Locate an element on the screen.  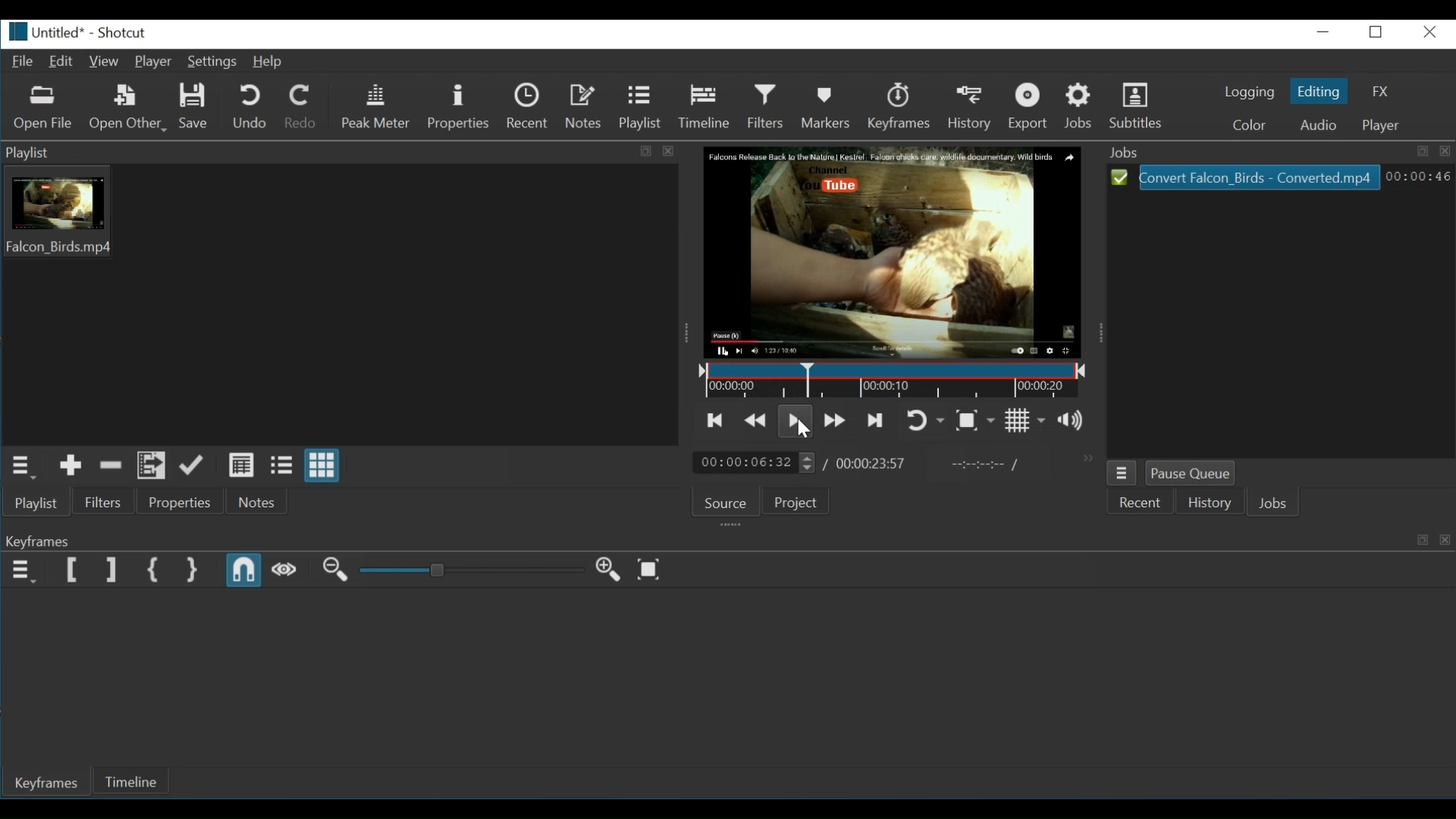
Open Other is located at coordinates (129, 108).